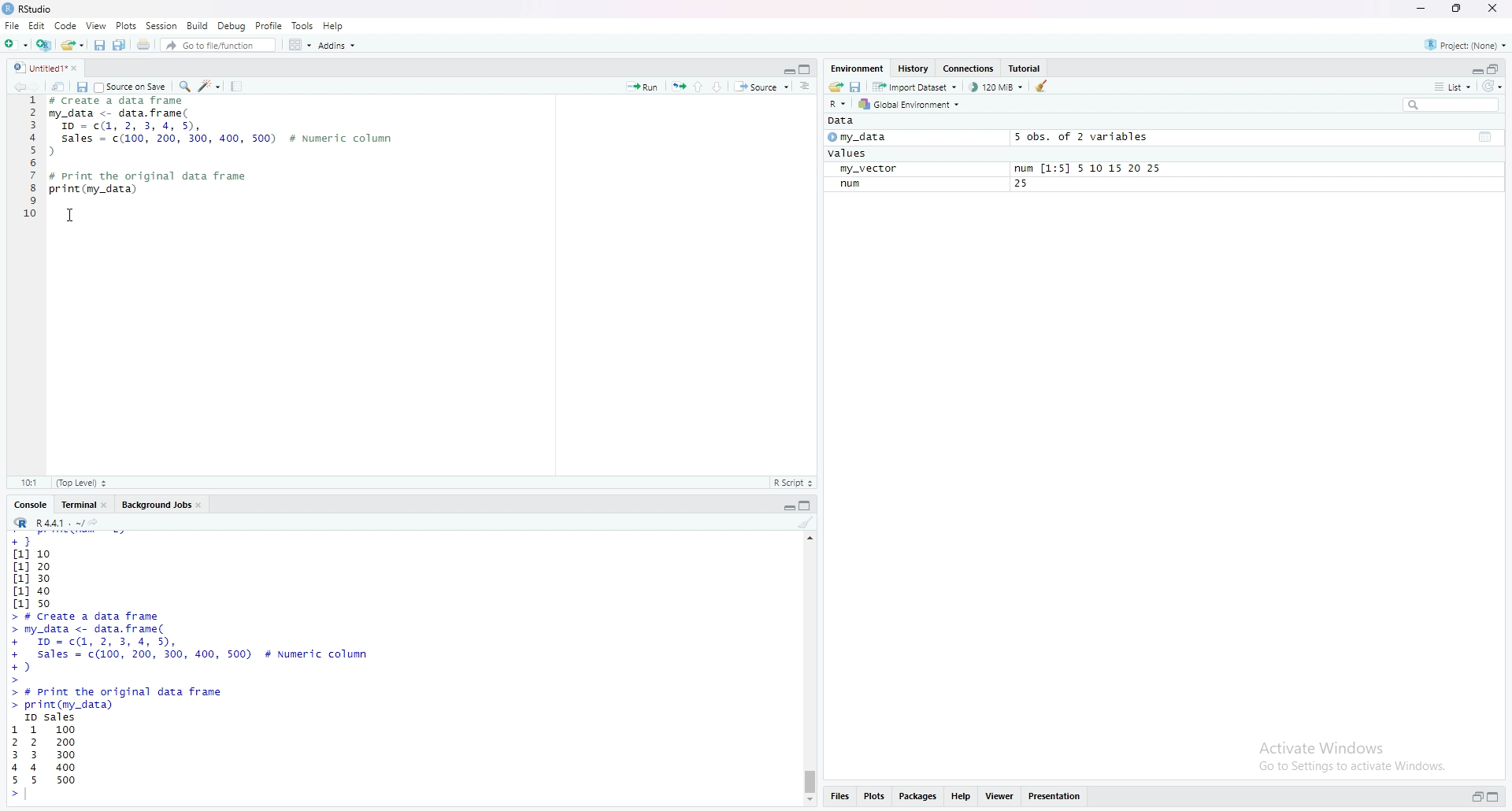 The height and width of the screenshot is (811, 1512). What do you see at coordinates (36, 798) in the screenshot?
I see `typing cursor` at bounding box center [36, 798].